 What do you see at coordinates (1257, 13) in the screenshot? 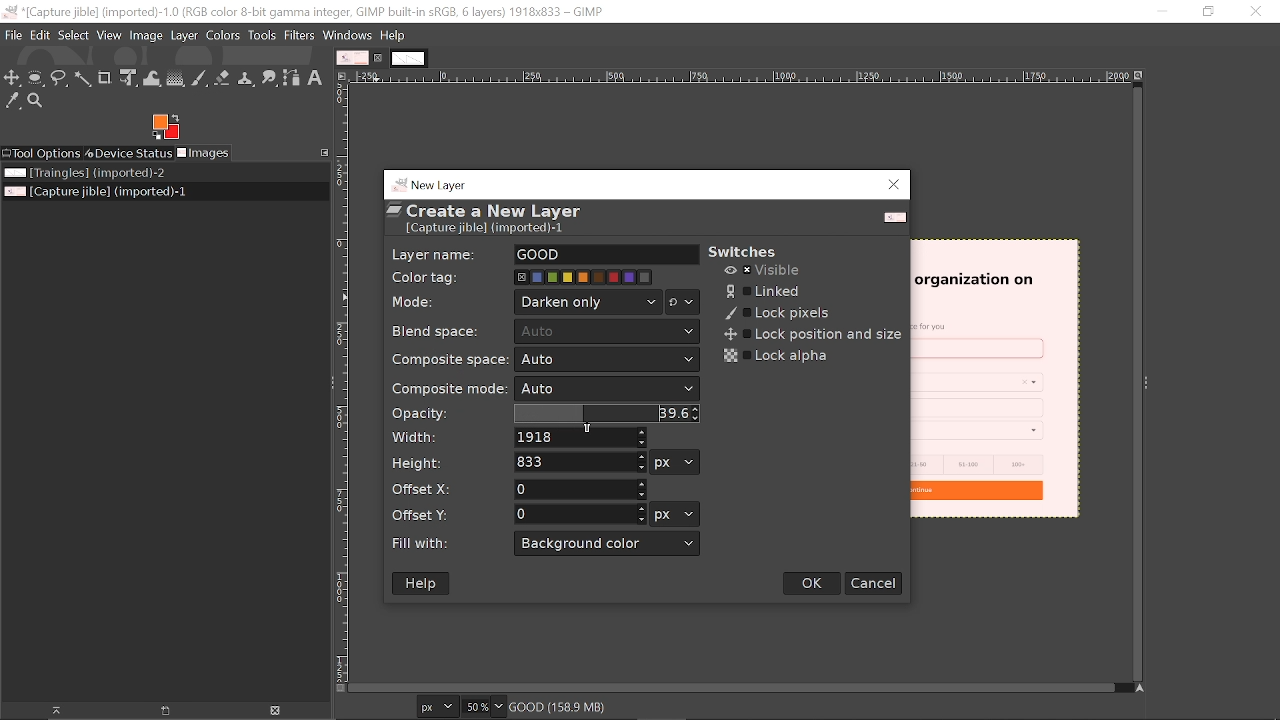
I see `Close` at bounding box center [1257, 13].